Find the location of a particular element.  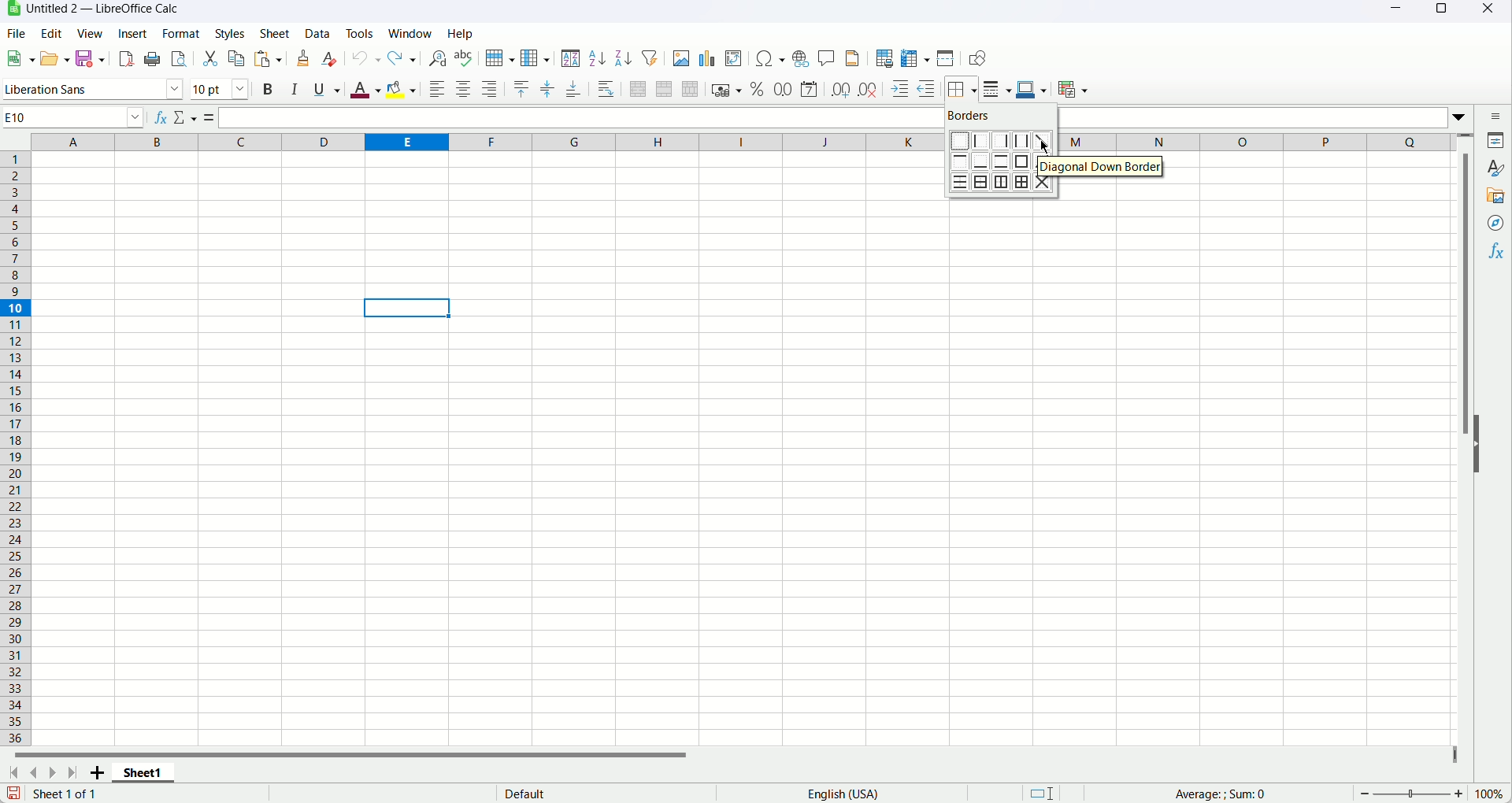

Sidebar settings is located at coordinates (1495, 115).